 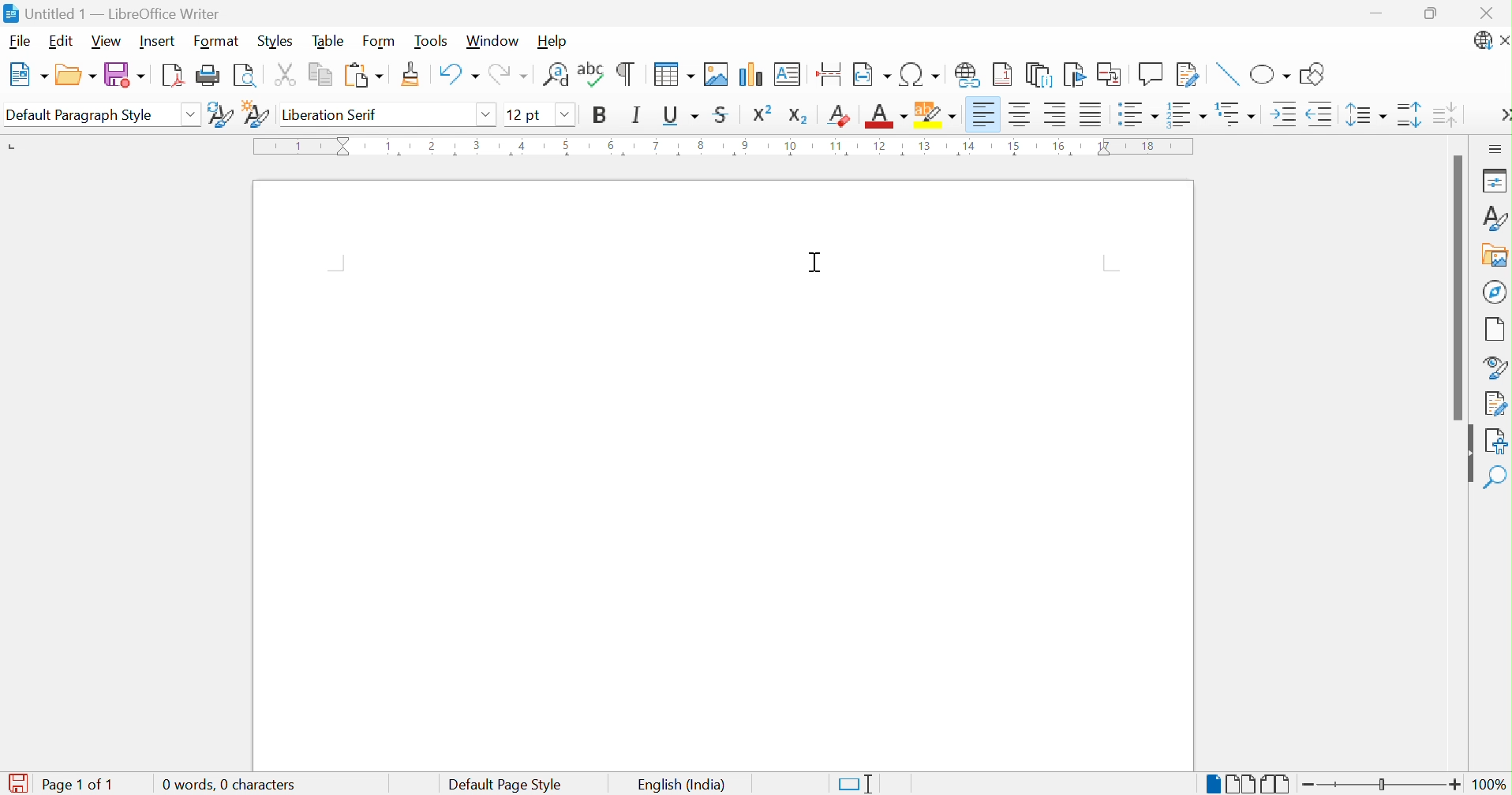 What do you see at coordinates (494, 41) in the screenshot?
I see `Window` at bounding box center [494, 41].